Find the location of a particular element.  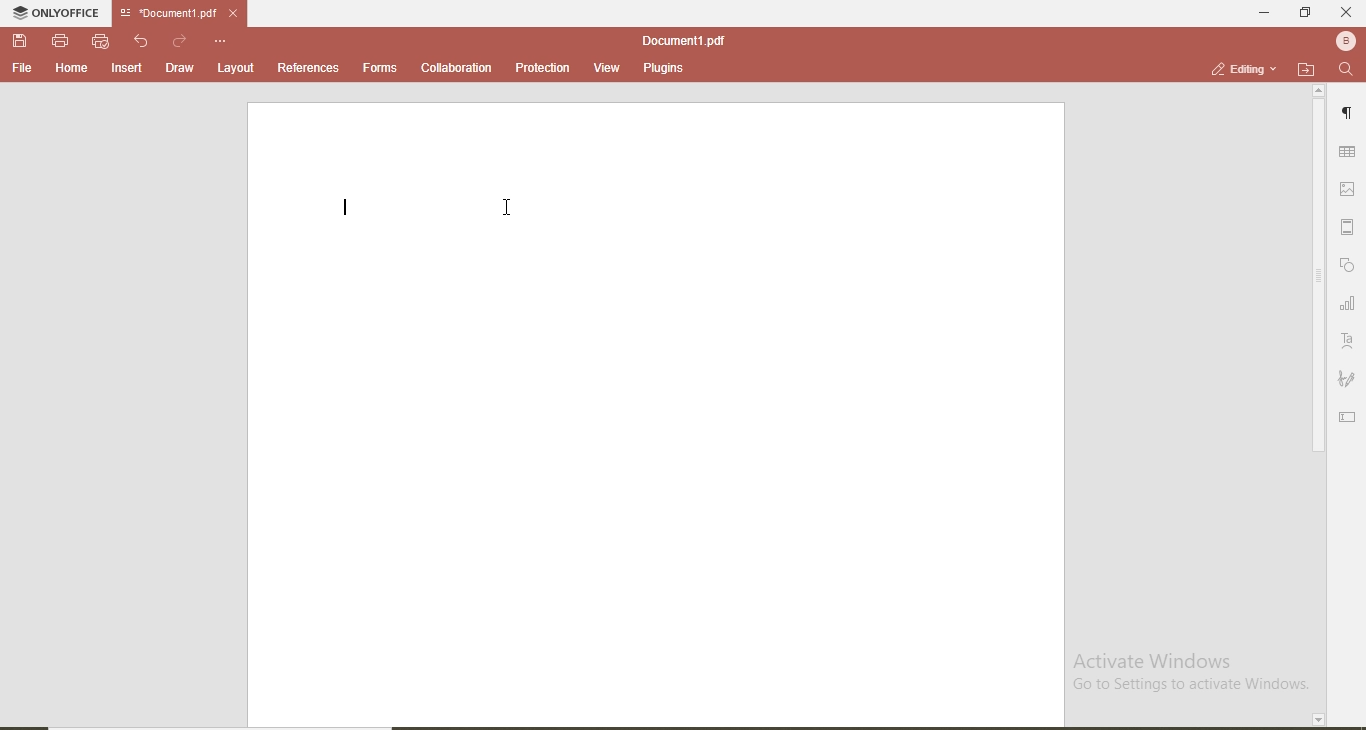

print is located at coordinates (58, 40).